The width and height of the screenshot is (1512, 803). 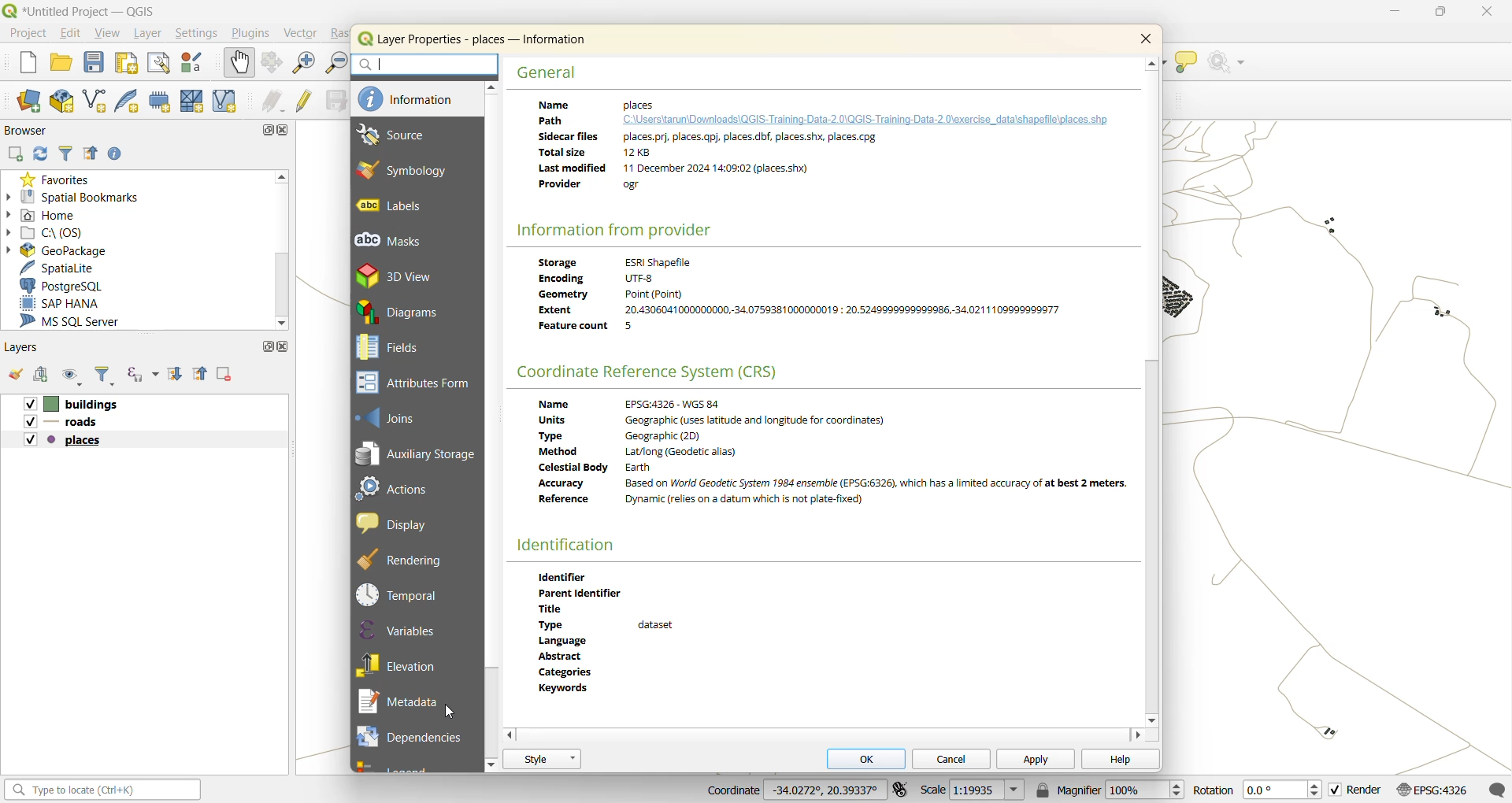 I want to click on temporal, so click(x=399, y=592).